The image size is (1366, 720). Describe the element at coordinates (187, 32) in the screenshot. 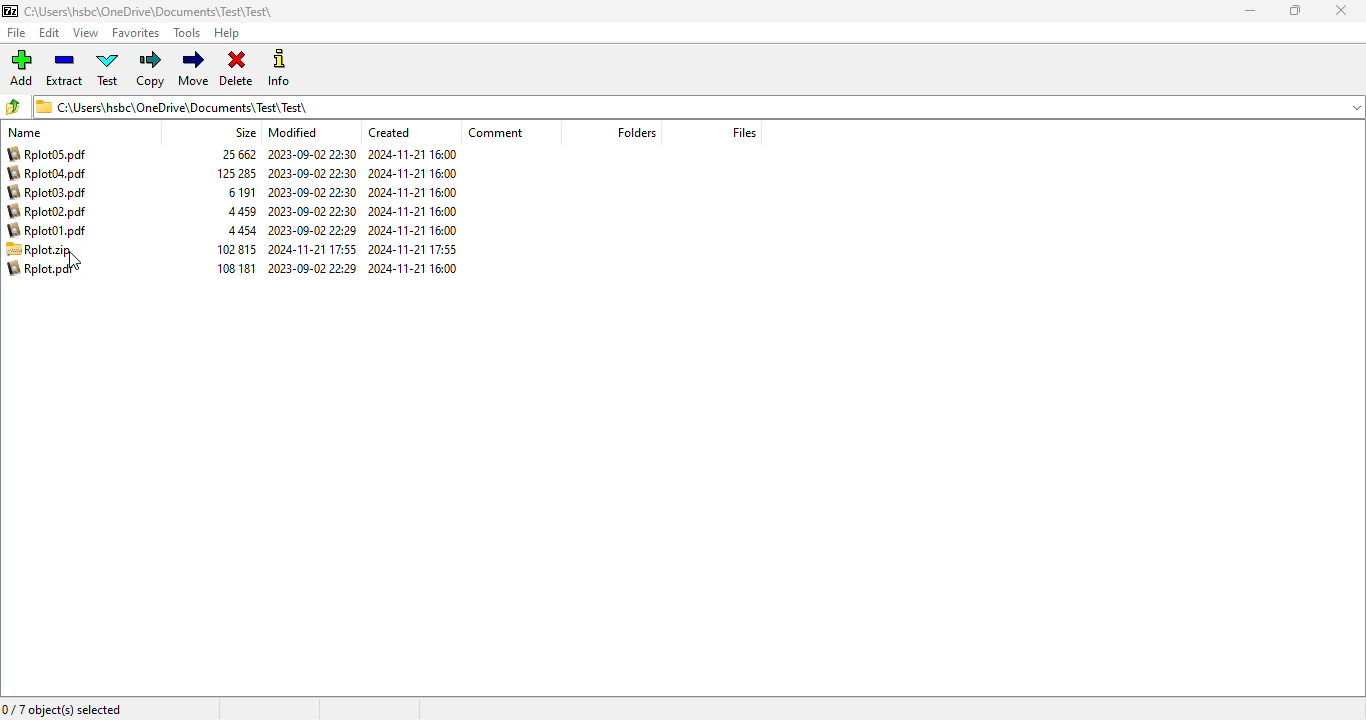

I see `tools` at that location.